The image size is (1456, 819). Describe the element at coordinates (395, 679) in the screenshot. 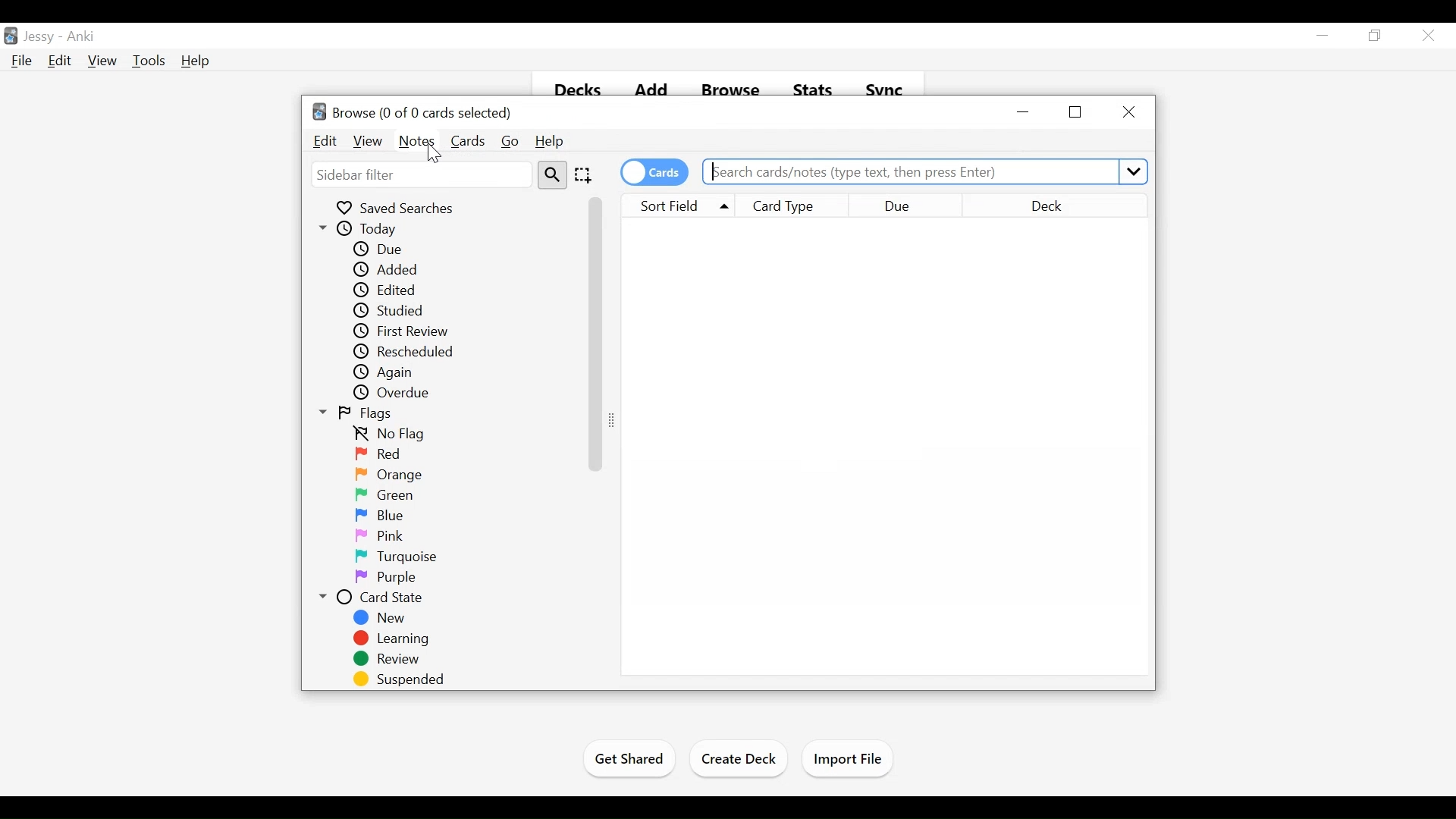

I see `Suspended` at that location.